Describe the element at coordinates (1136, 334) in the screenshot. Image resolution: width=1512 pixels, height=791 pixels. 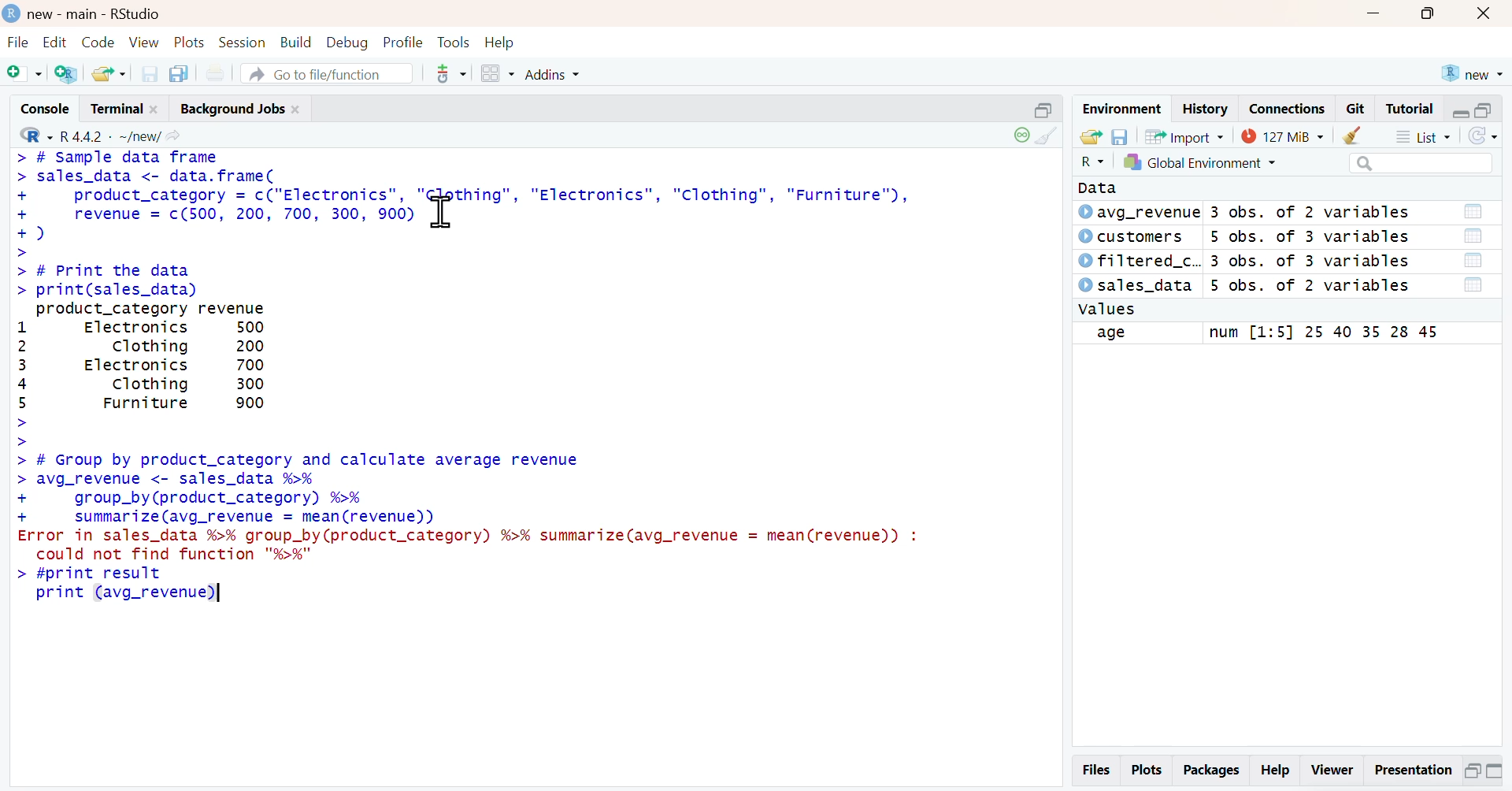
I see `field name` at that location.